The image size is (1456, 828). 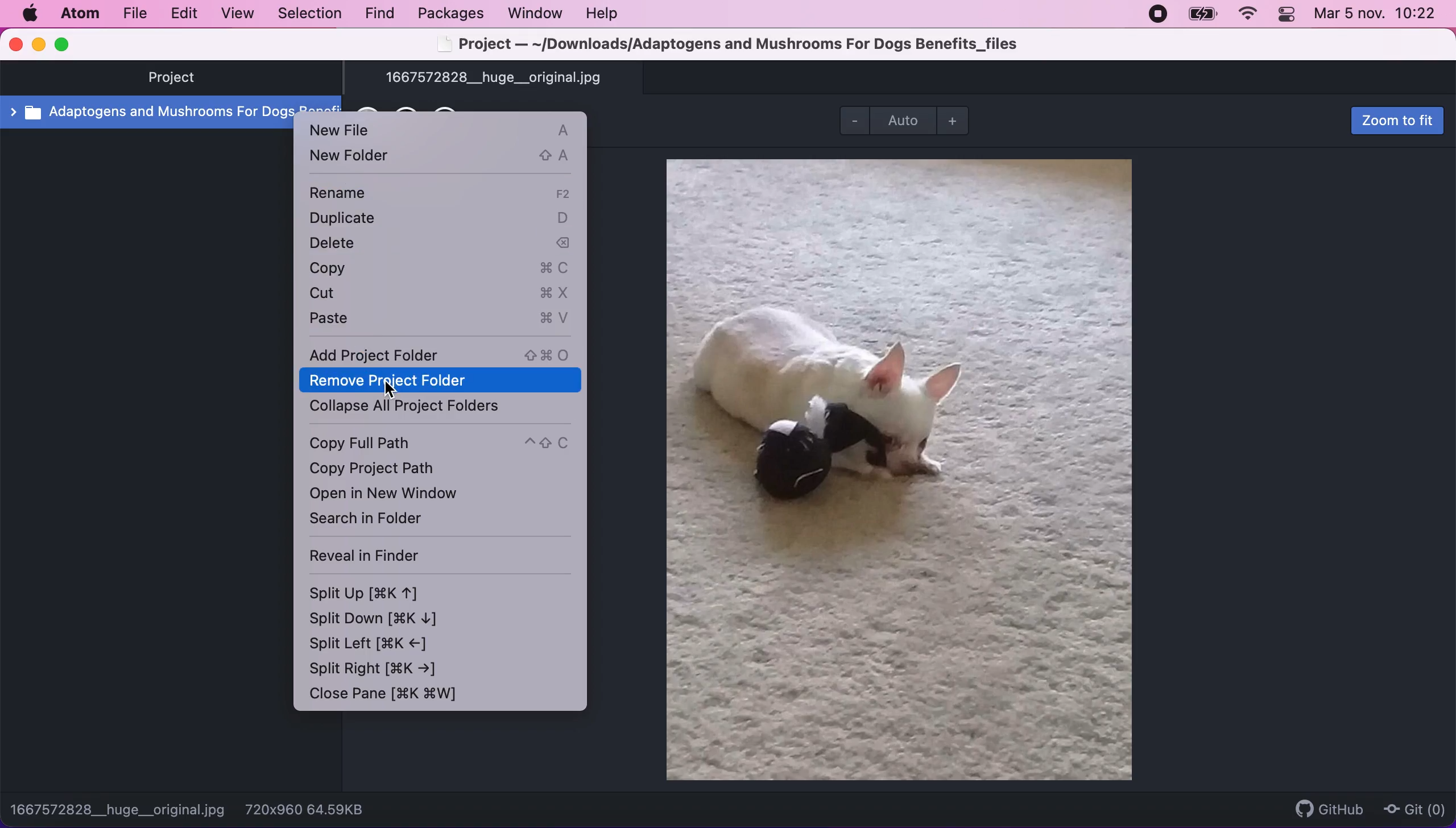 I want to click on git, so click(x=1418, y=808).